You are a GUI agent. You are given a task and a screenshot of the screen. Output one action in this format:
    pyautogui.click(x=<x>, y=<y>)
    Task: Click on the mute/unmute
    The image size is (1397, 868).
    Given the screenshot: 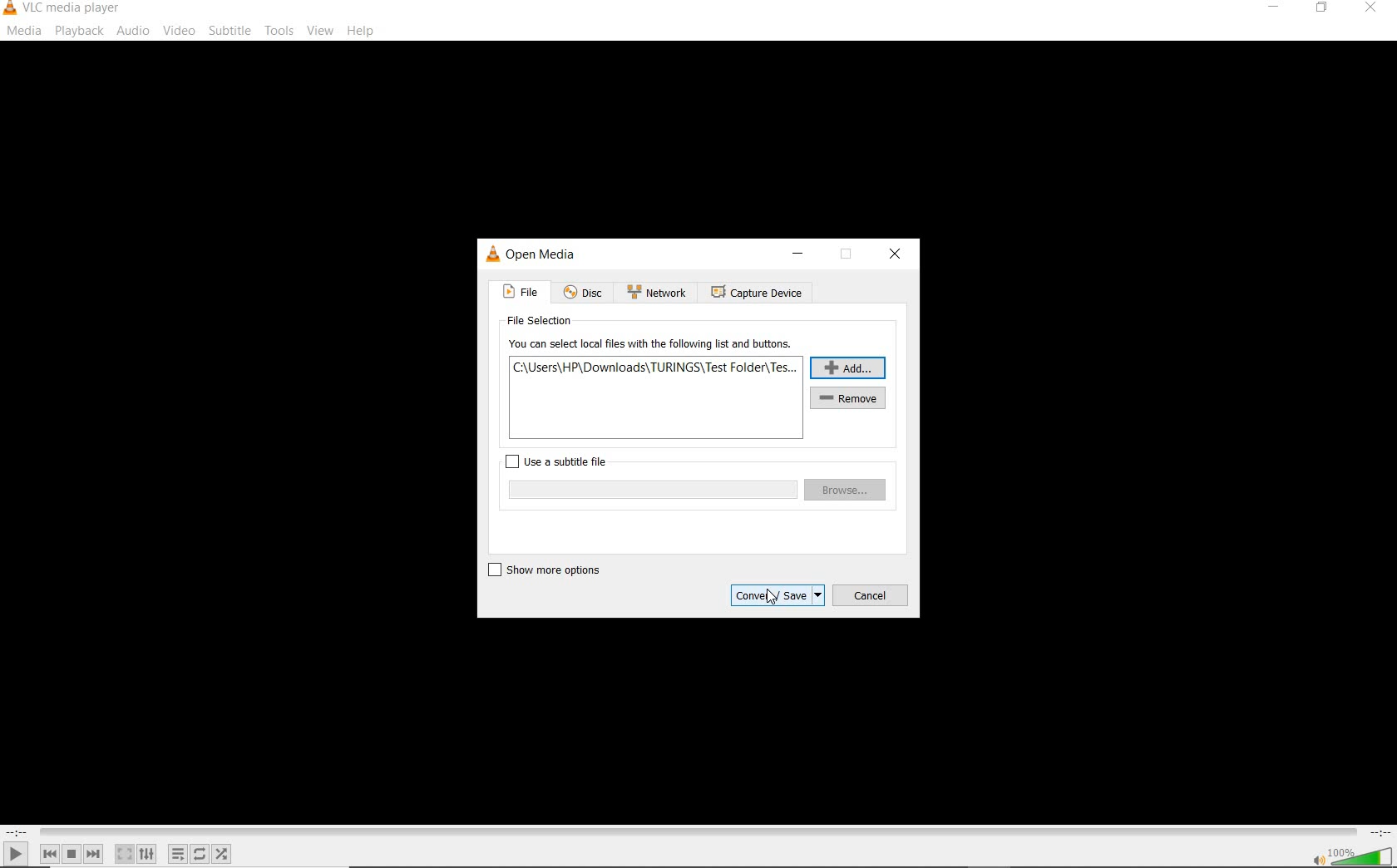 What is the action you would take?
    pyautogui.click(x=1317, y=859)
    